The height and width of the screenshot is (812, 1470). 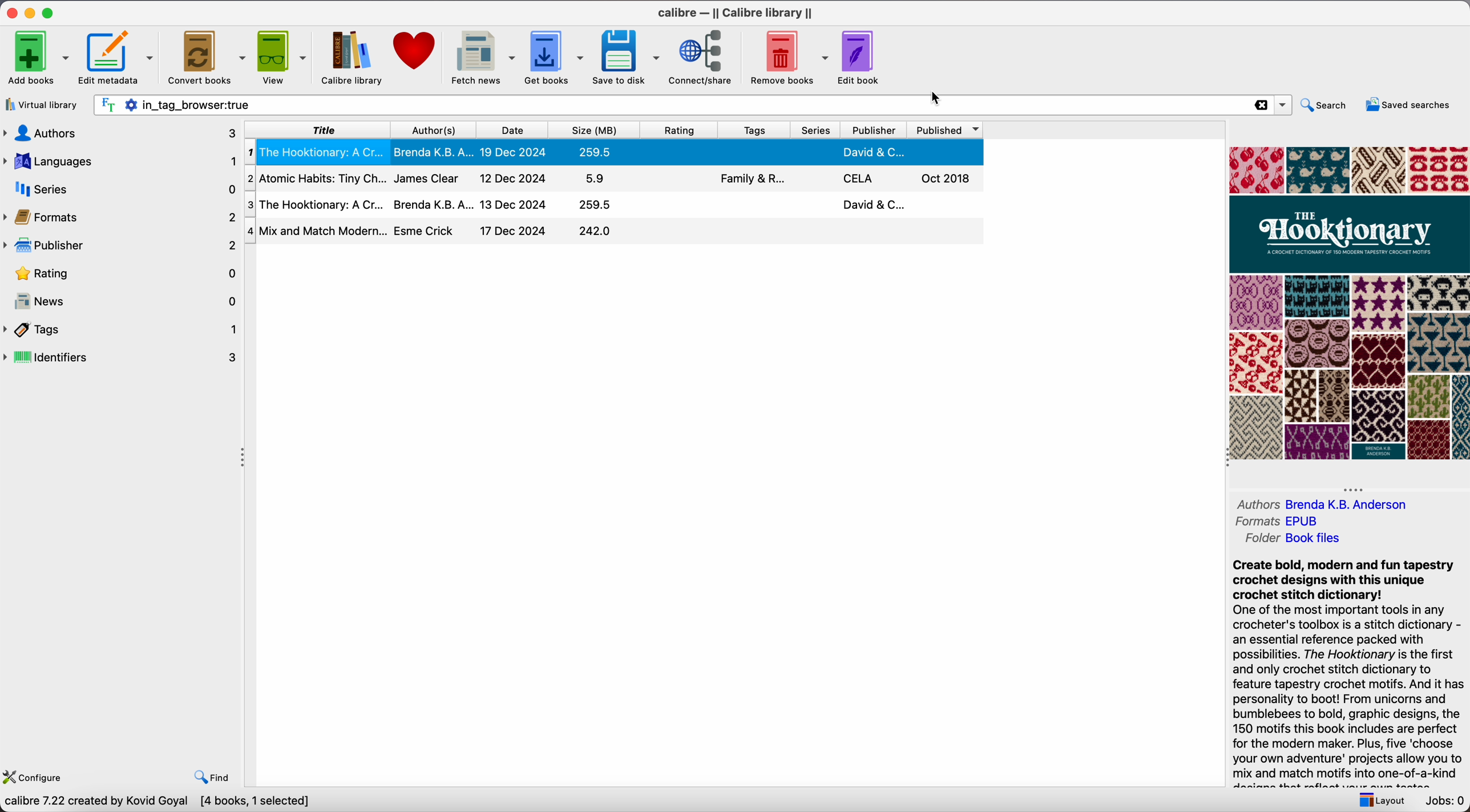 What do you see at coordinates (1406, 106) in the screenshot?
I see `saved searches` at bounding box center [1406, 106].